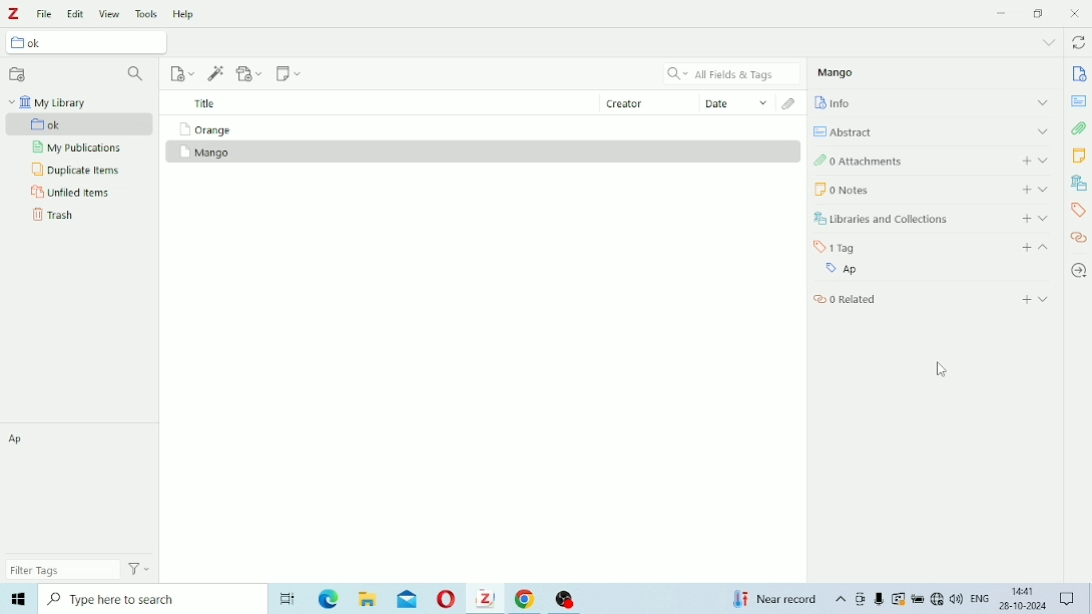  What do you see at coordinates (56, 214) in the screenshot?
I see `Trash` at bounding box center [56, 214].